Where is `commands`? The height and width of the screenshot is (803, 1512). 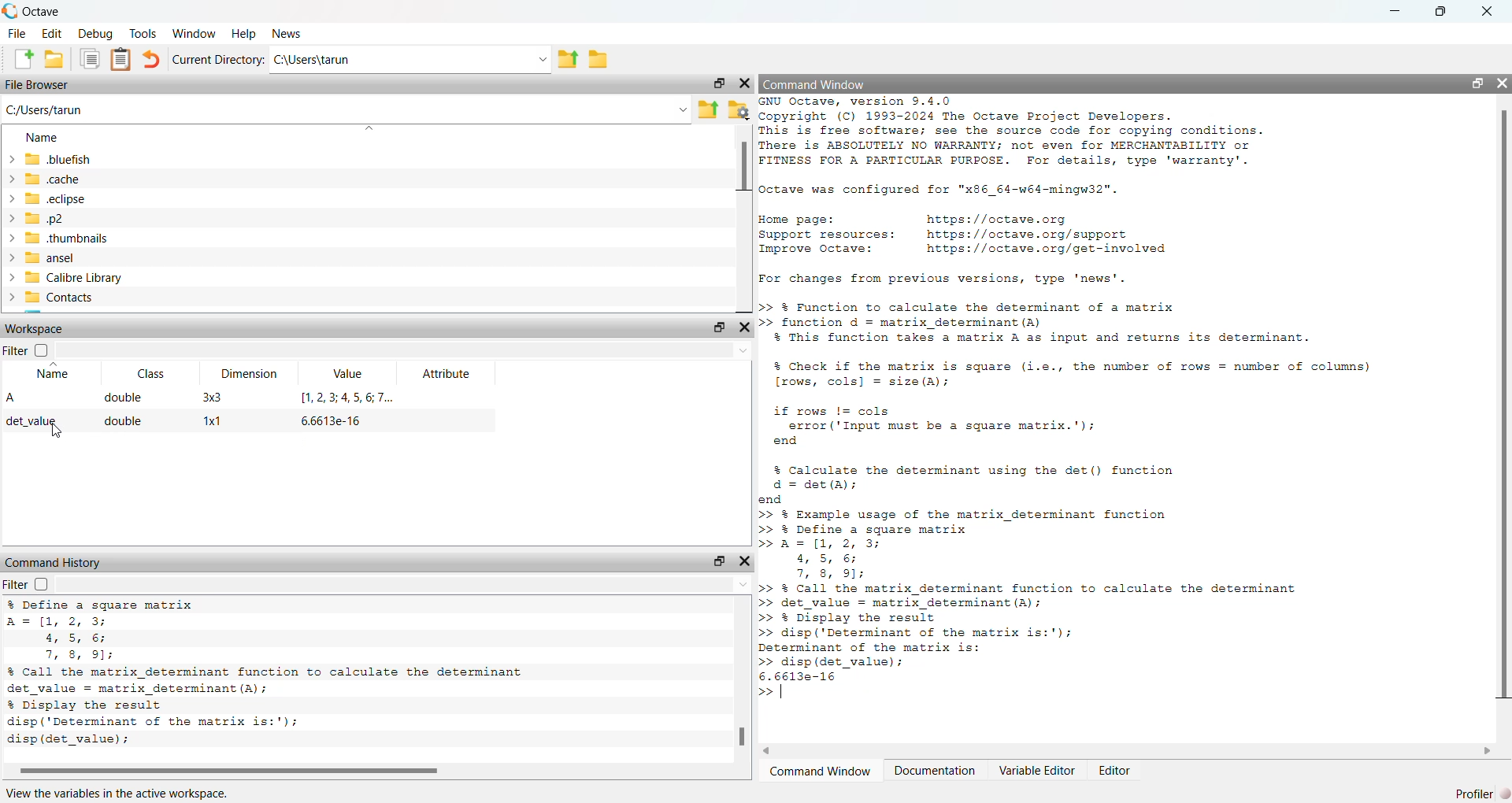
commands is located at coordinates (1066, 405).